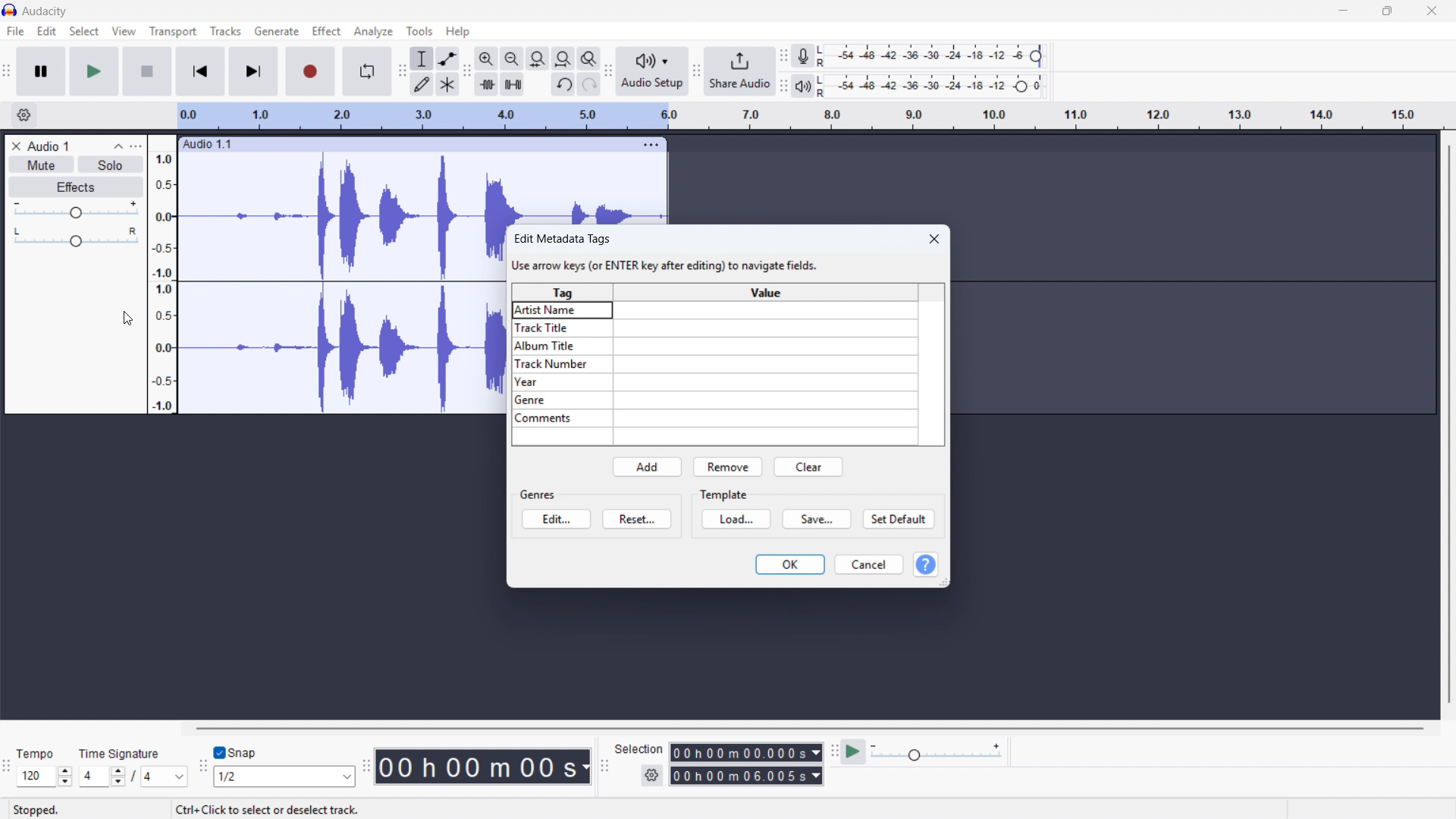 This screenshot has width=1456, height=819. What do you see at coordinates (808, 468) in the screenshot?
I see `clear` at bounding box center [808, 468].